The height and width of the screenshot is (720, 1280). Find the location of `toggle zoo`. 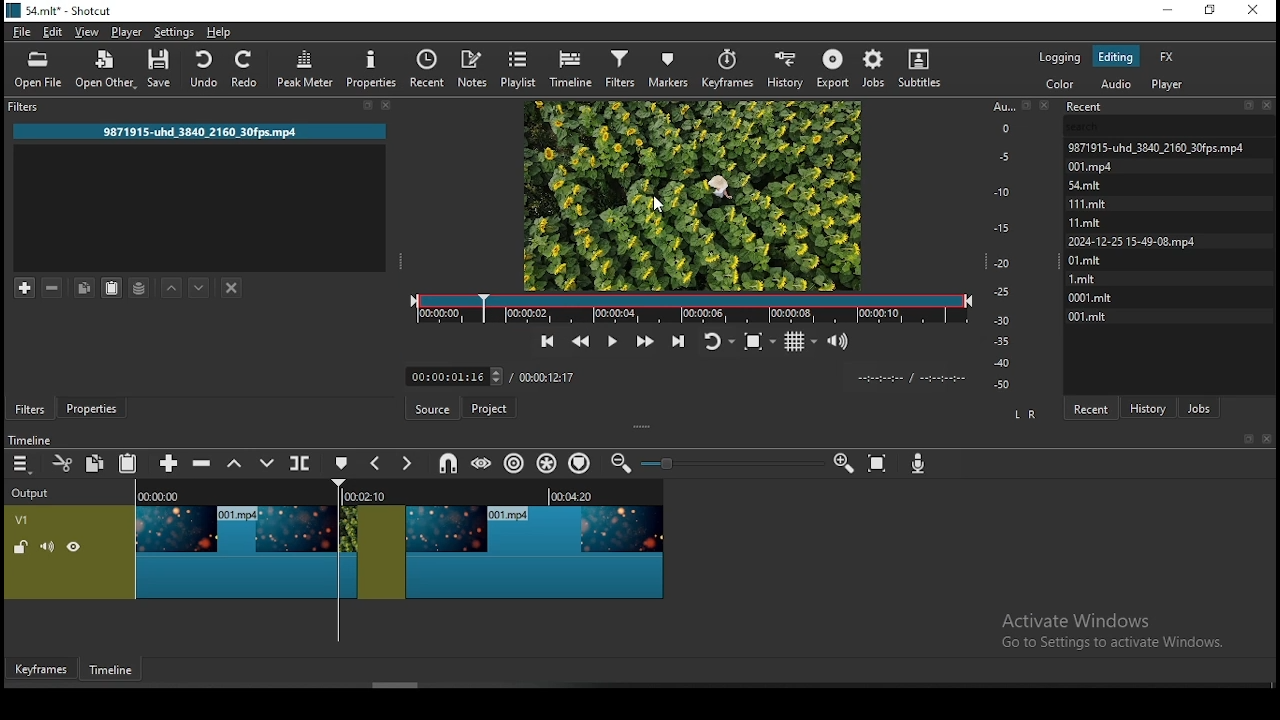

toggle zoo is located at coordinates (753, 341).